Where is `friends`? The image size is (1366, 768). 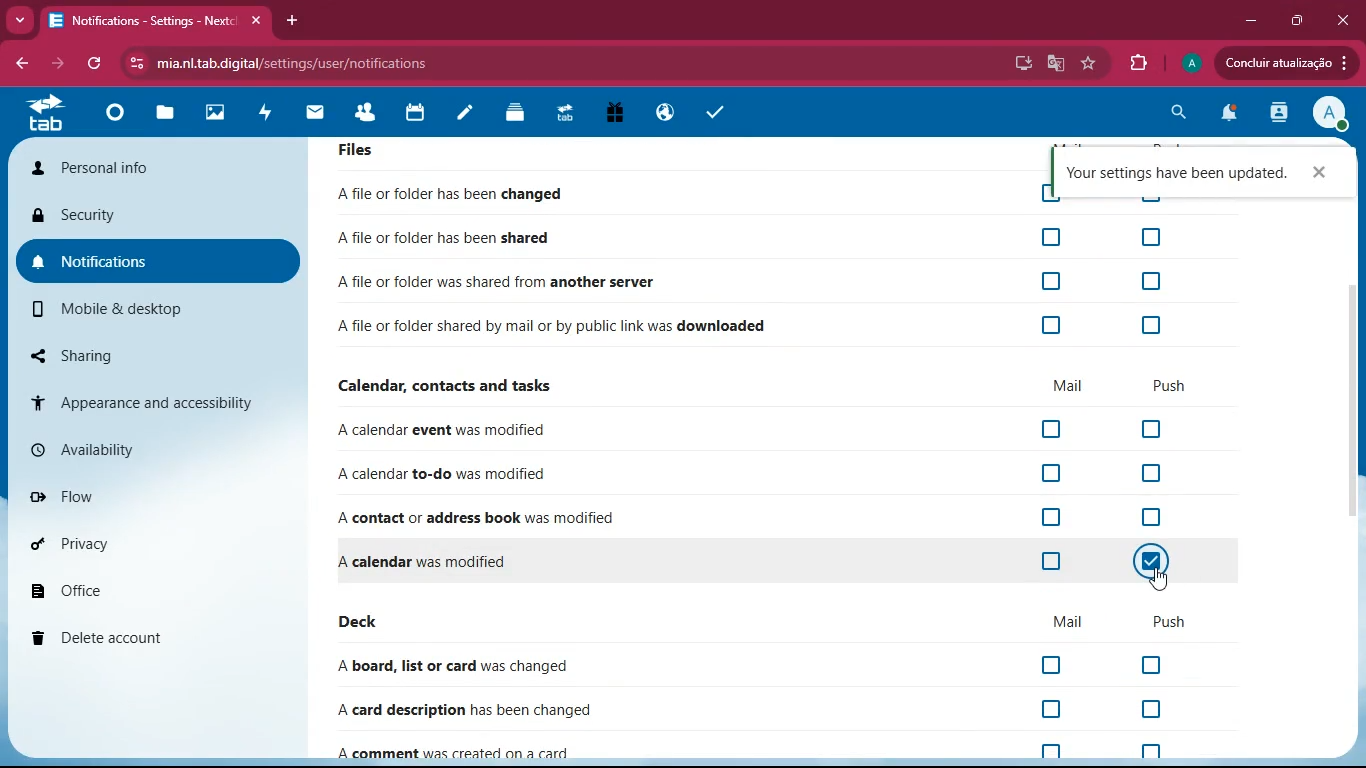
friends is located at coordinates (371, 115).